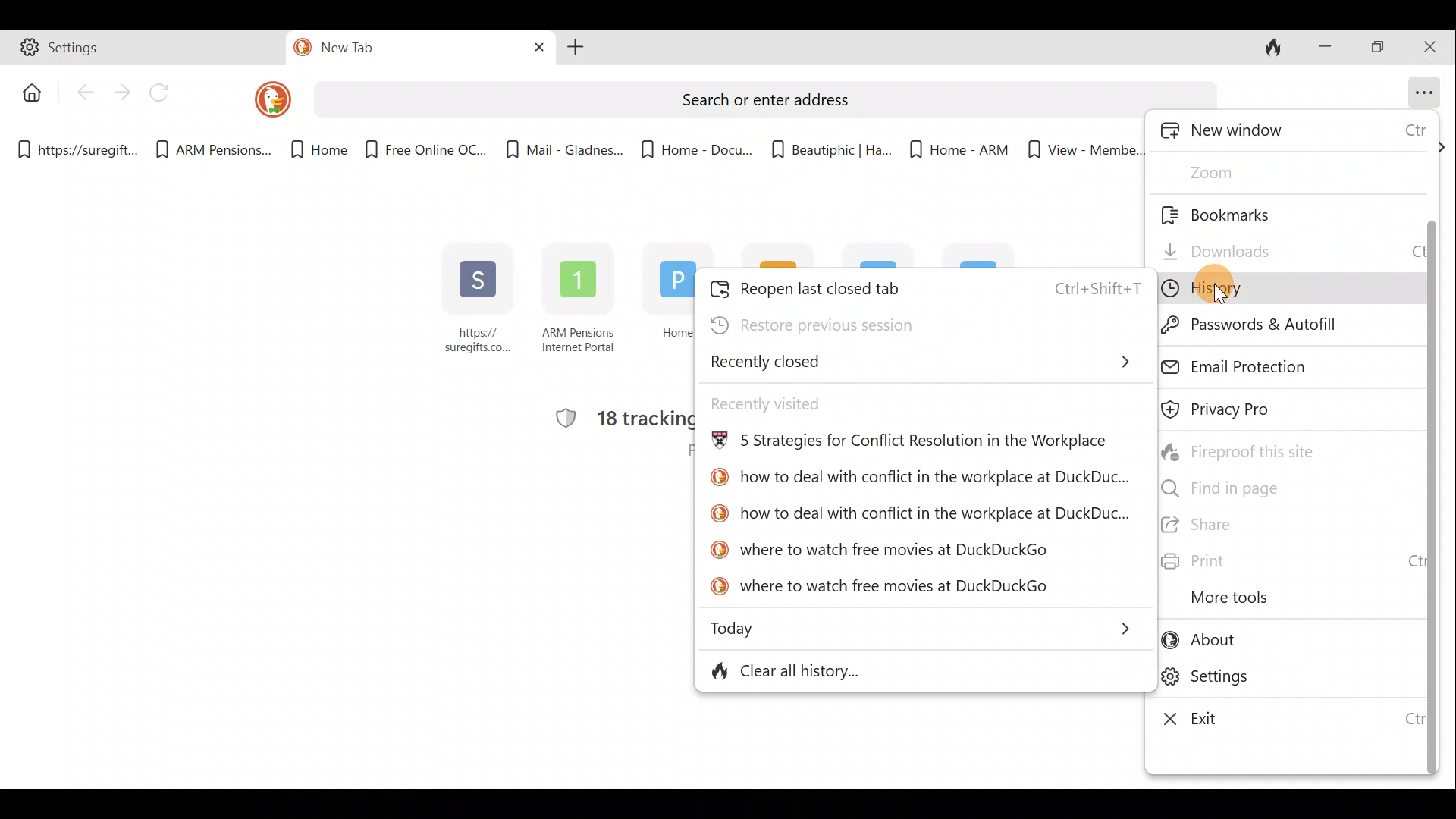  I want to click on Back, so click(84, 96).